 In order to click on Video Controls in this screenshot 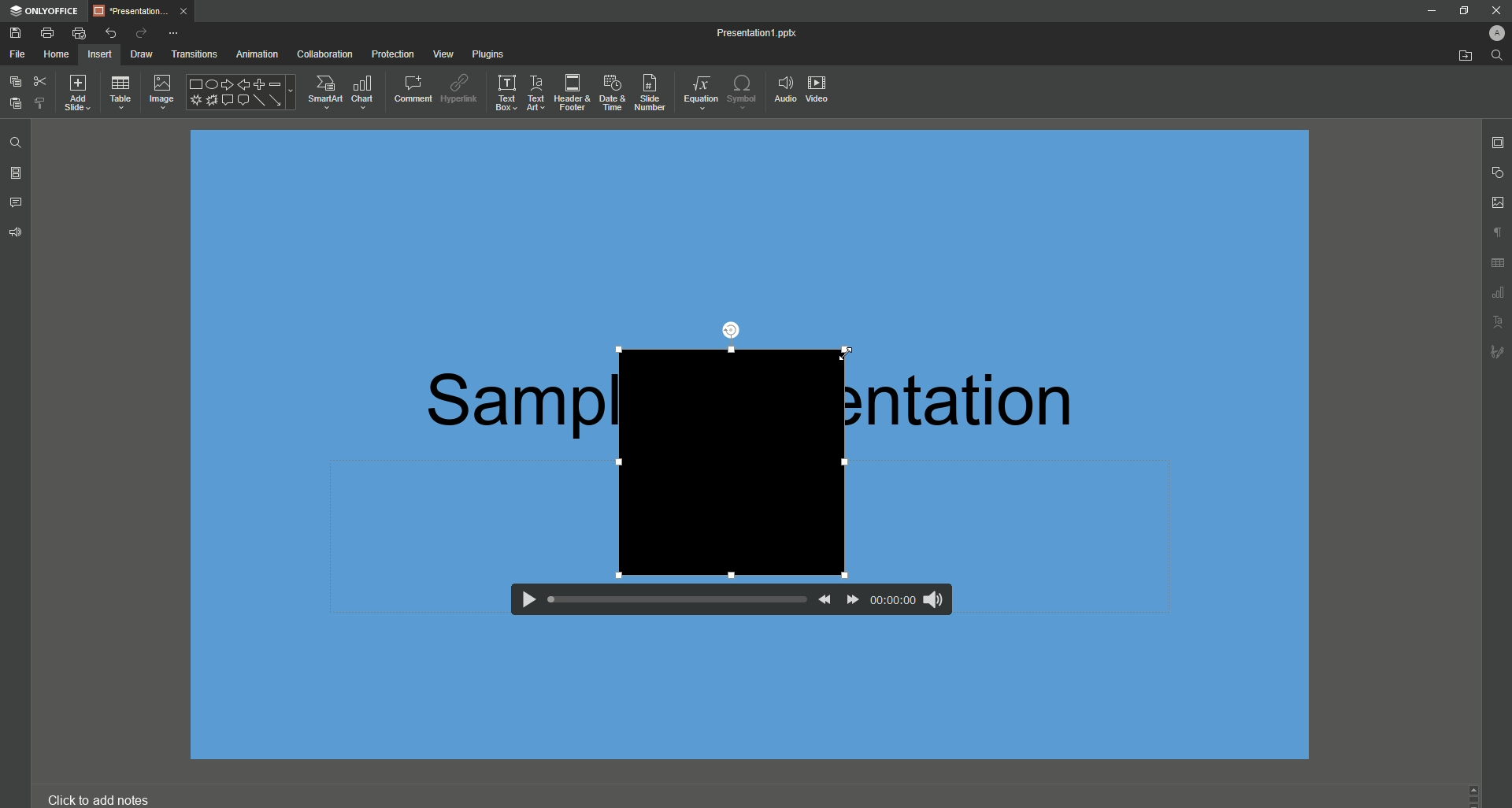, I will do `click(733, 604)`.